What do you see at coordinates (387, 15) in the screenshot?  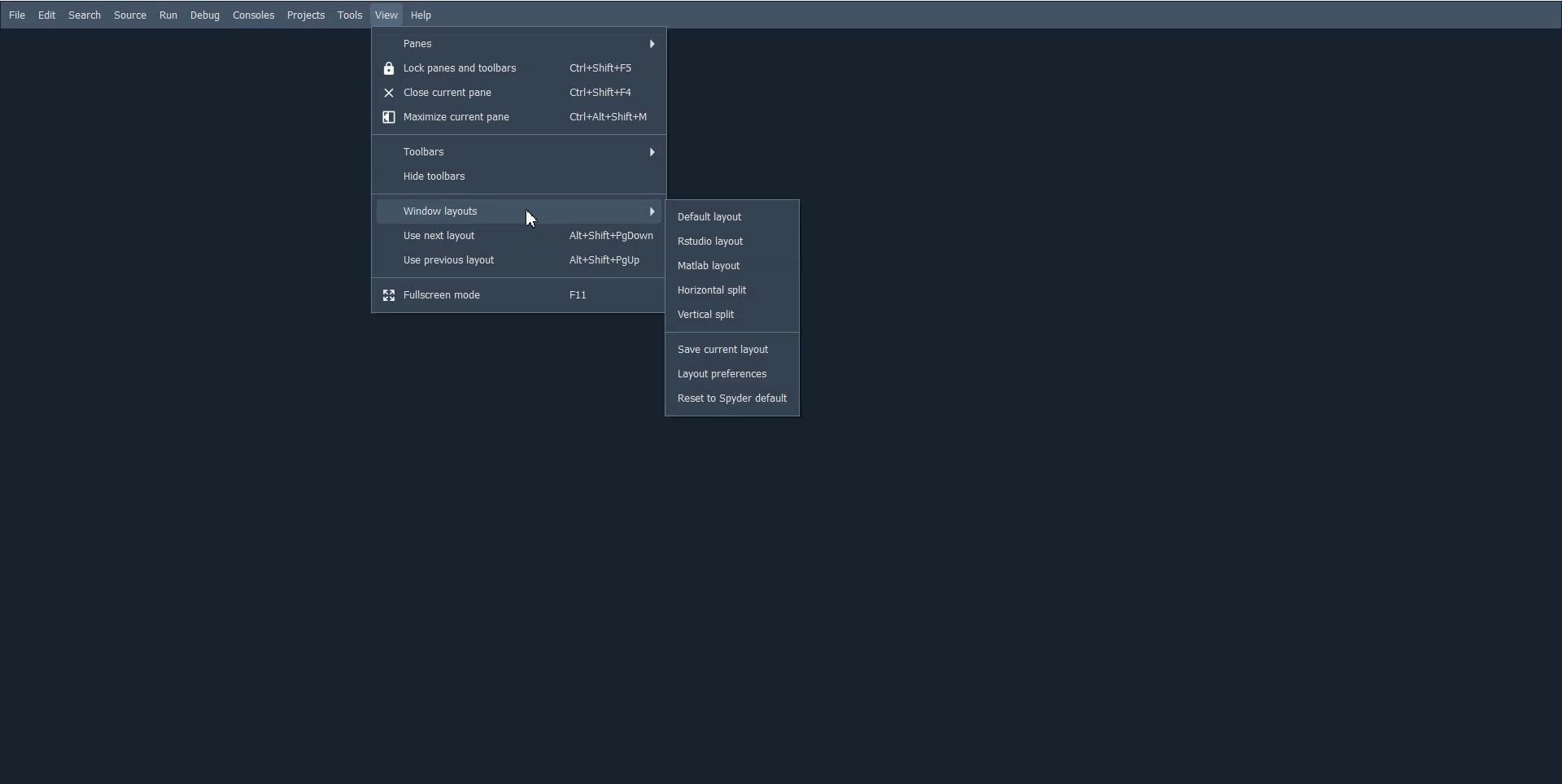 I see `View` at bounding box center [387, 15].